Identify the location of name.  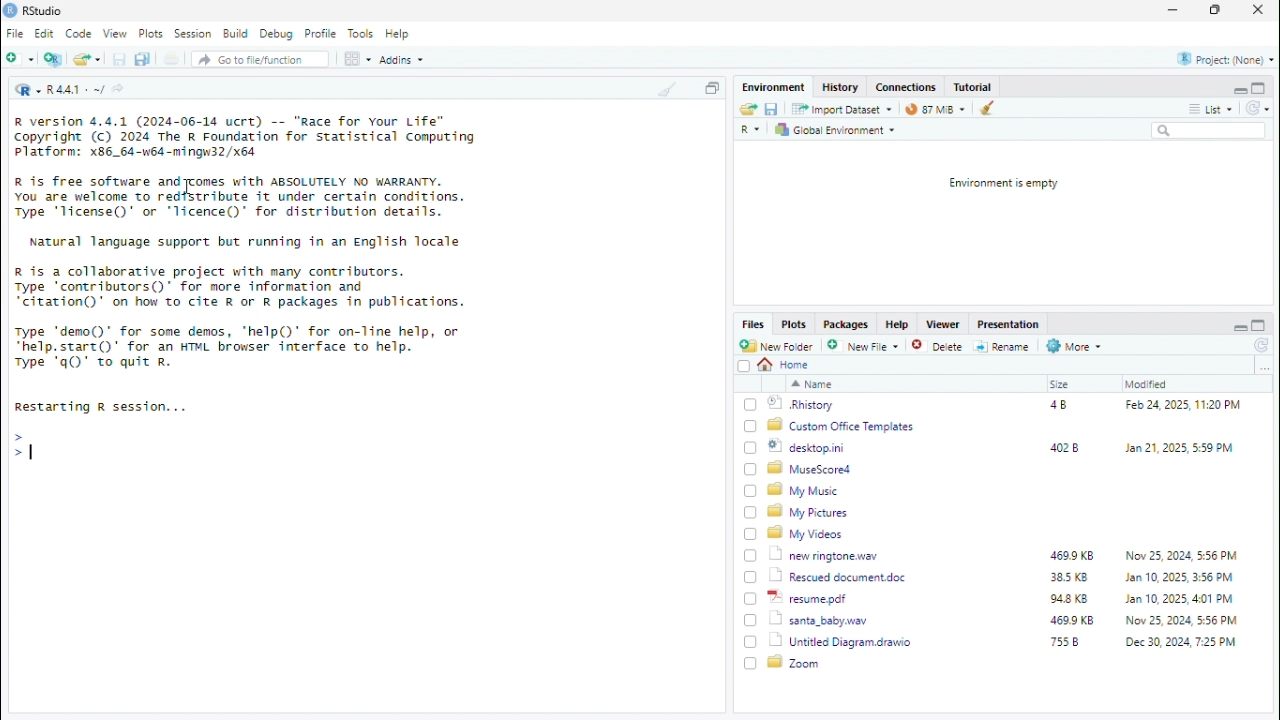
(812, 384).